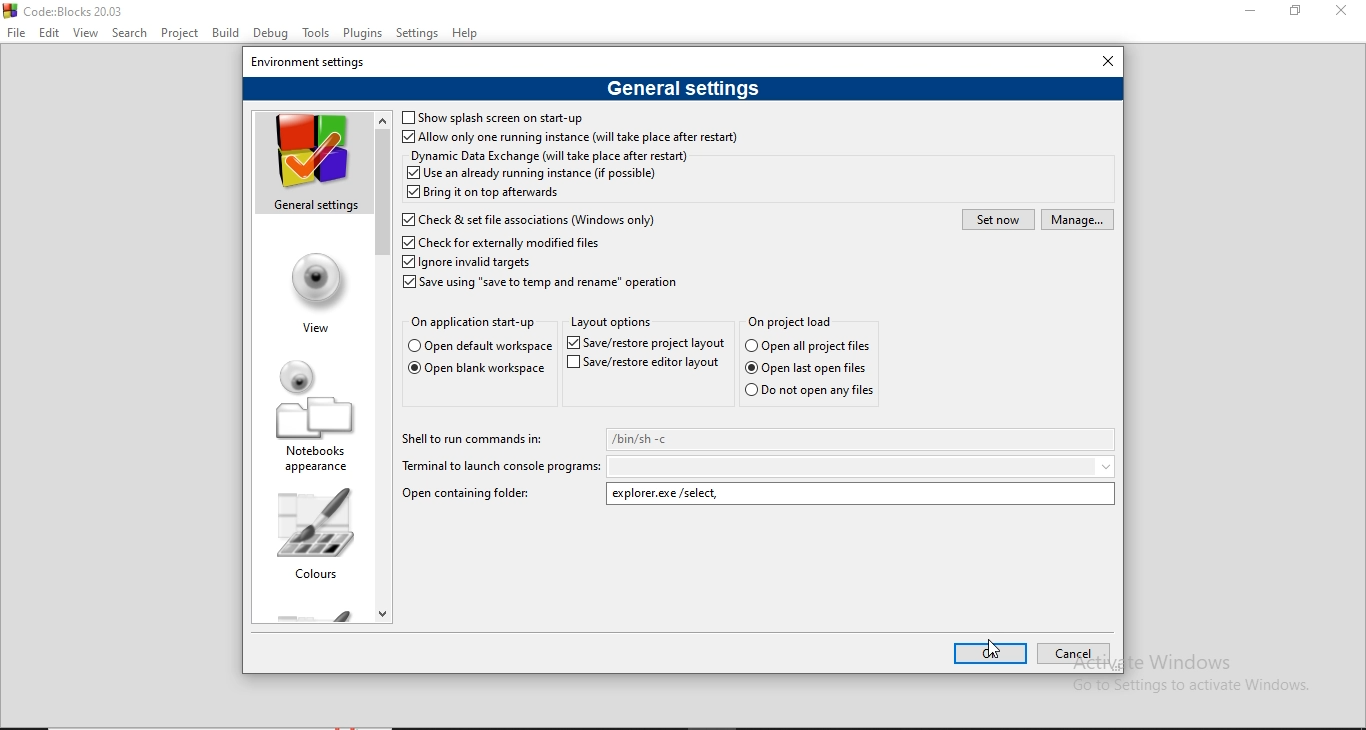 The width and height of the screenshot is (1366, 730). I want to click on view, so click(313, 291).